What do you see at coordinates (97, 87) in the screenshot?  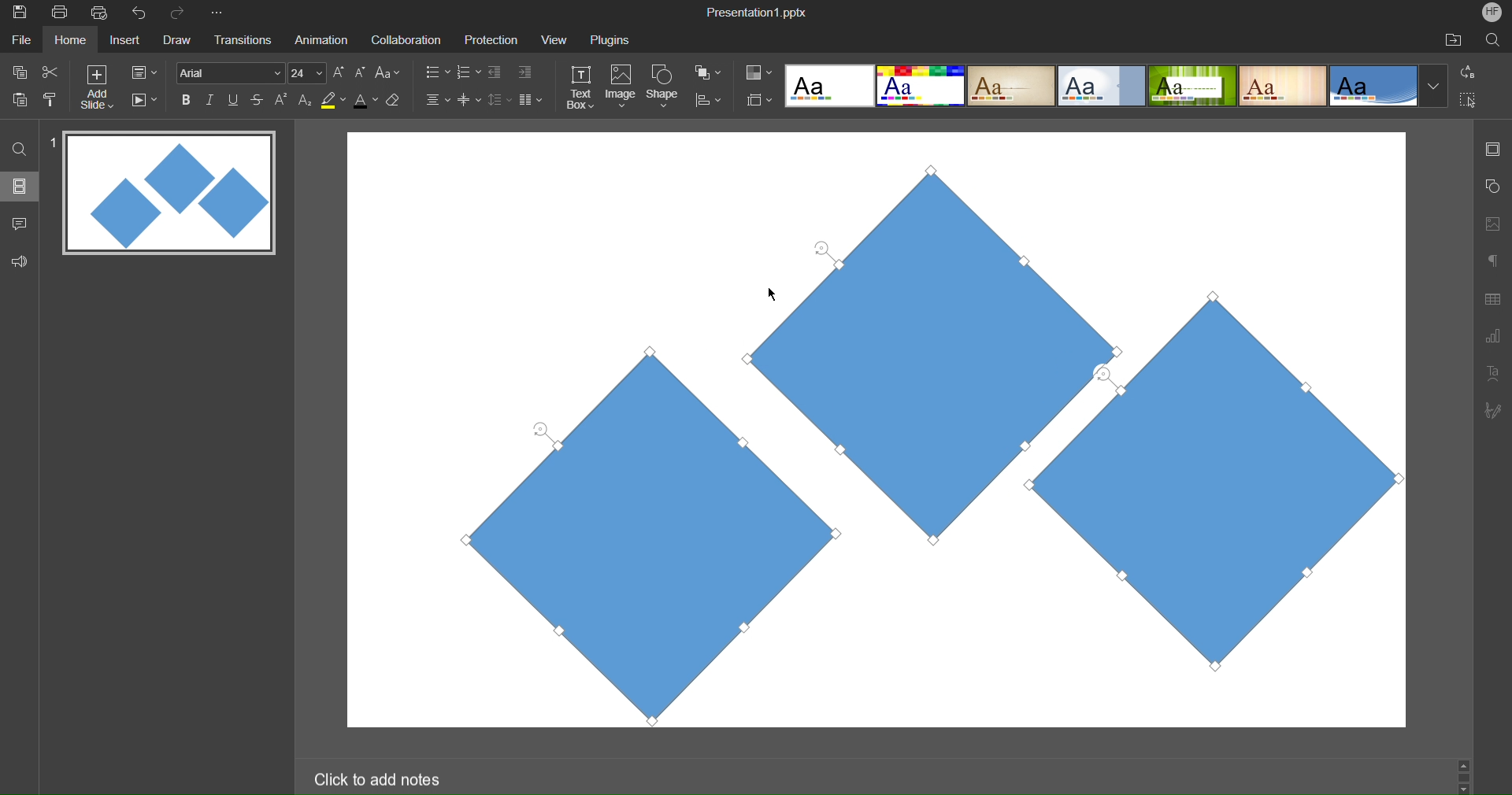 I see `Add Slide` at bounding box center [97, 87].